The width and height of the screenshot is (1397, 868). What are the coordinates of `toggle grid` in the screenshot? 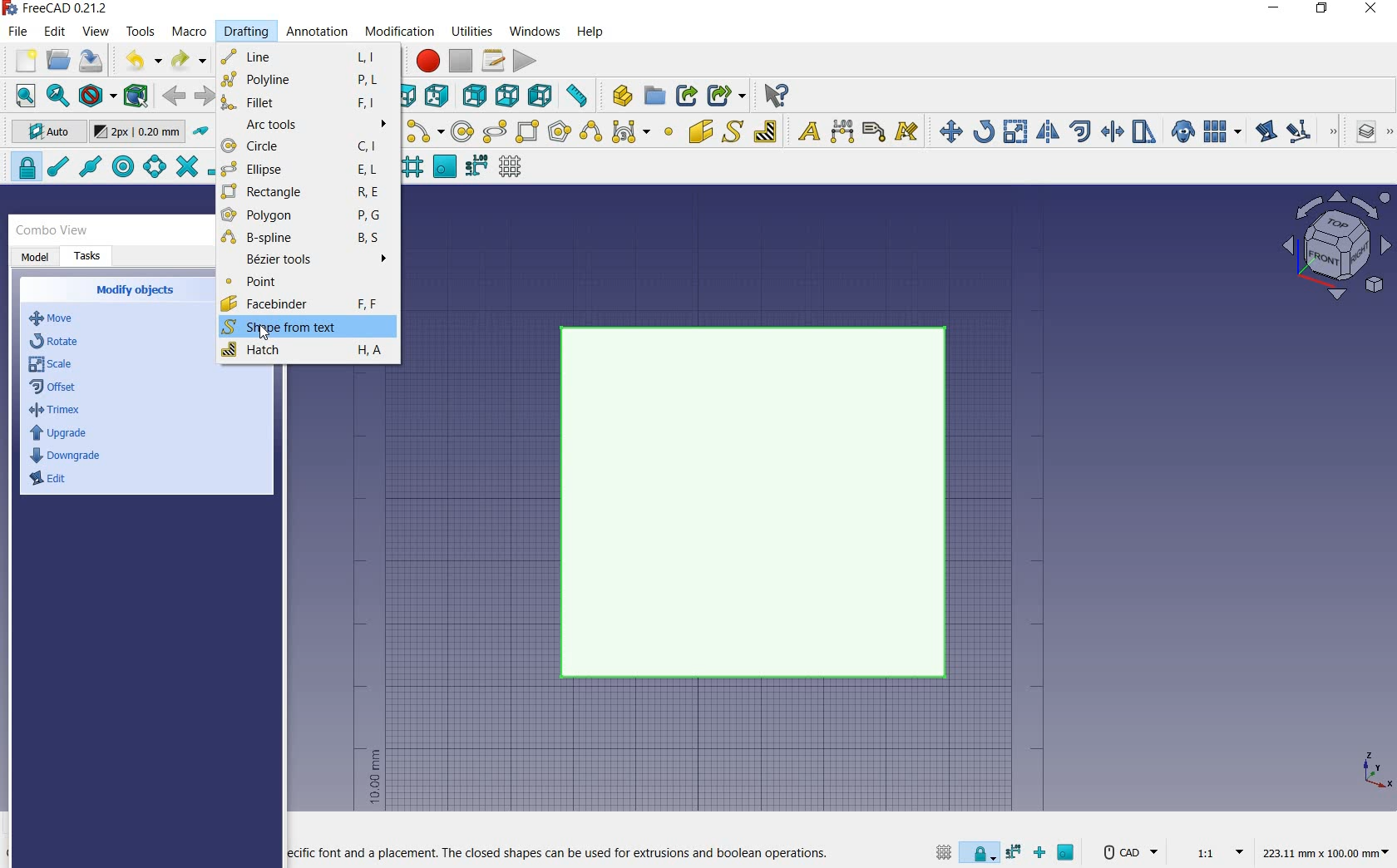 It's located at (512, 167).